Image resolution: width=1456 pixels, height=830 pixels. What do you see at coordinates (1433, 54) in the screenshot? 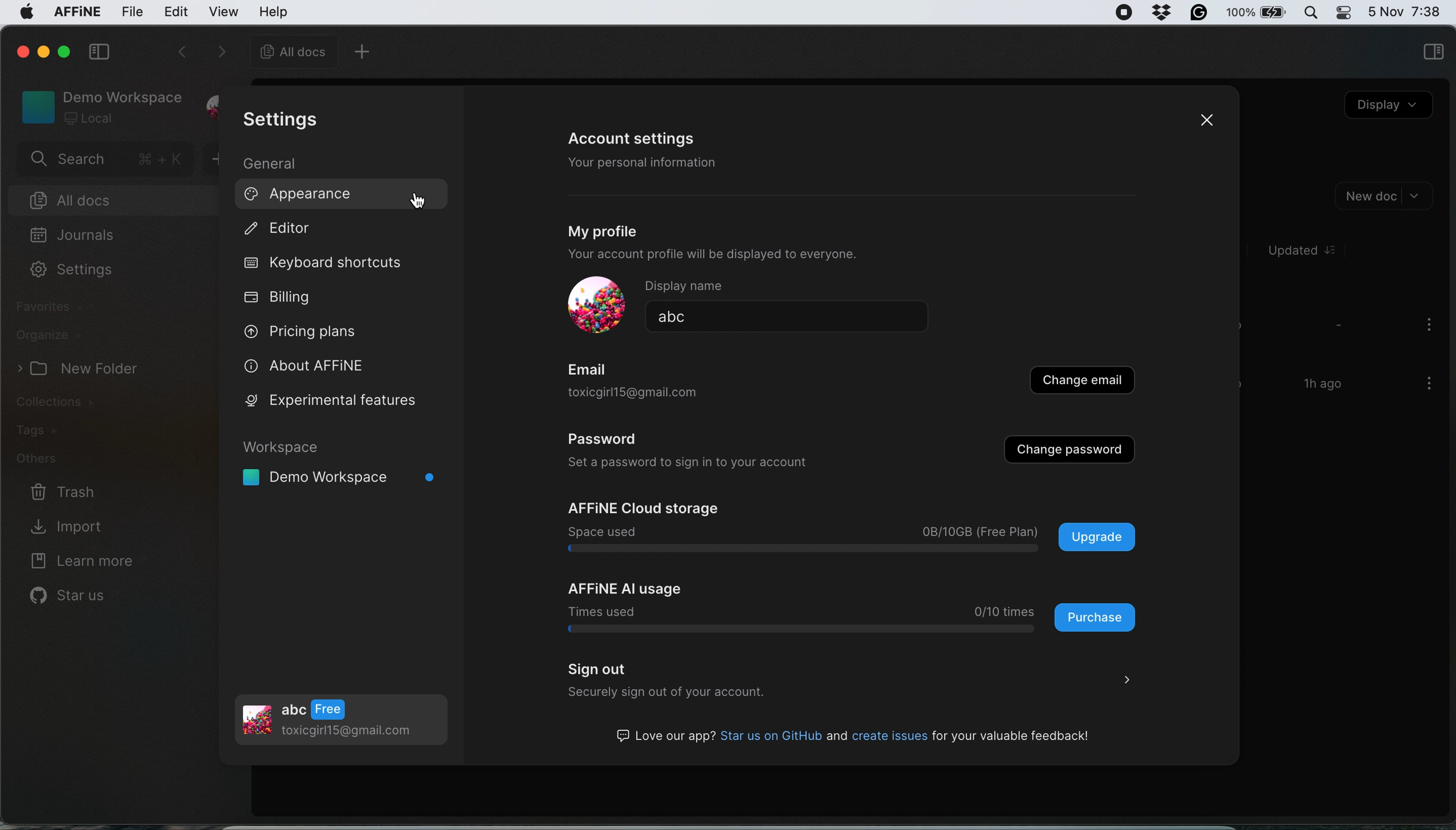
I see `sidebar` at bounding box center [1433, 54].